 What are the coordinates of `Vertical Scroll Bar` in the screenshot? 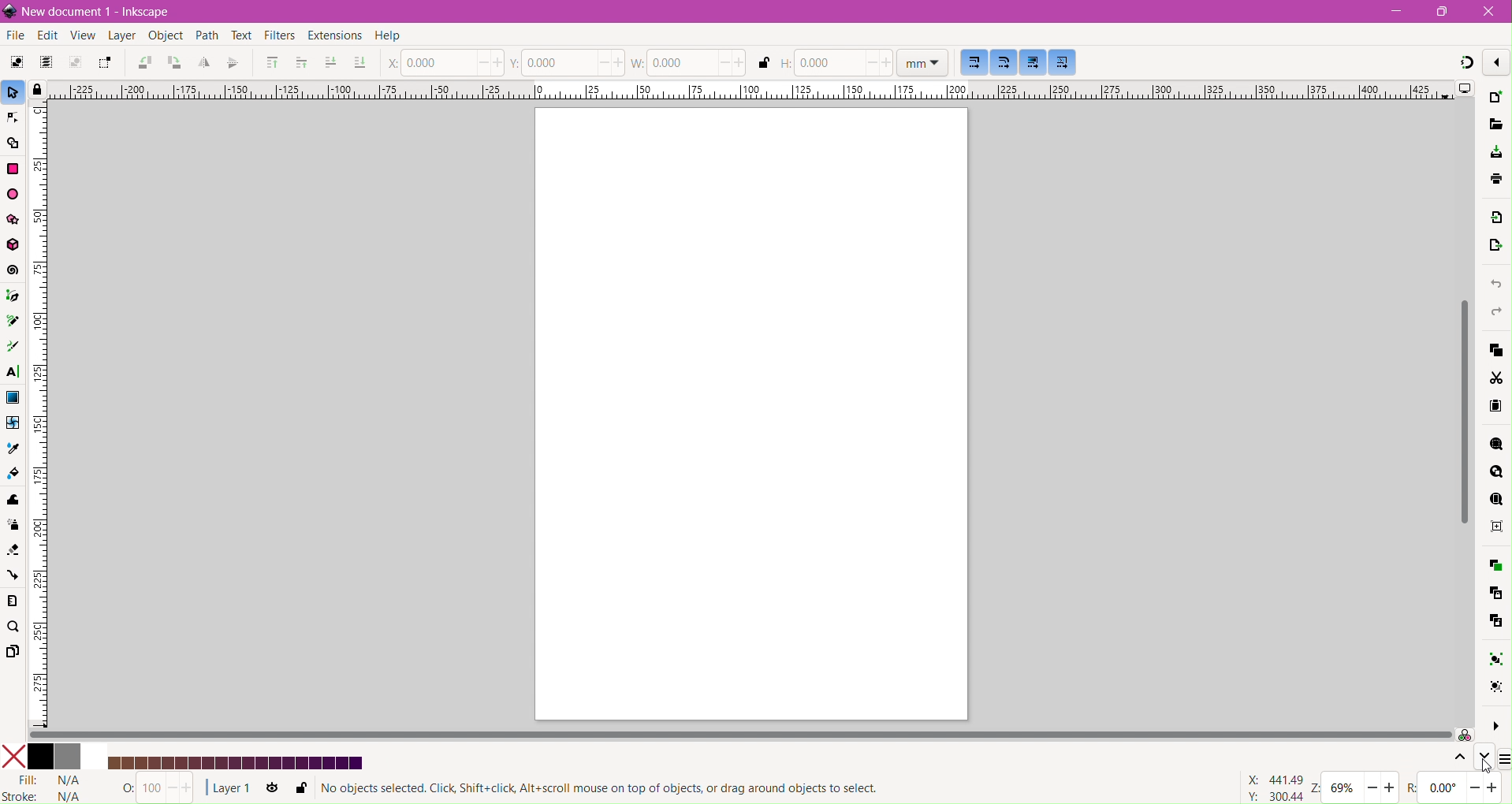 It's located at (1461, 411).